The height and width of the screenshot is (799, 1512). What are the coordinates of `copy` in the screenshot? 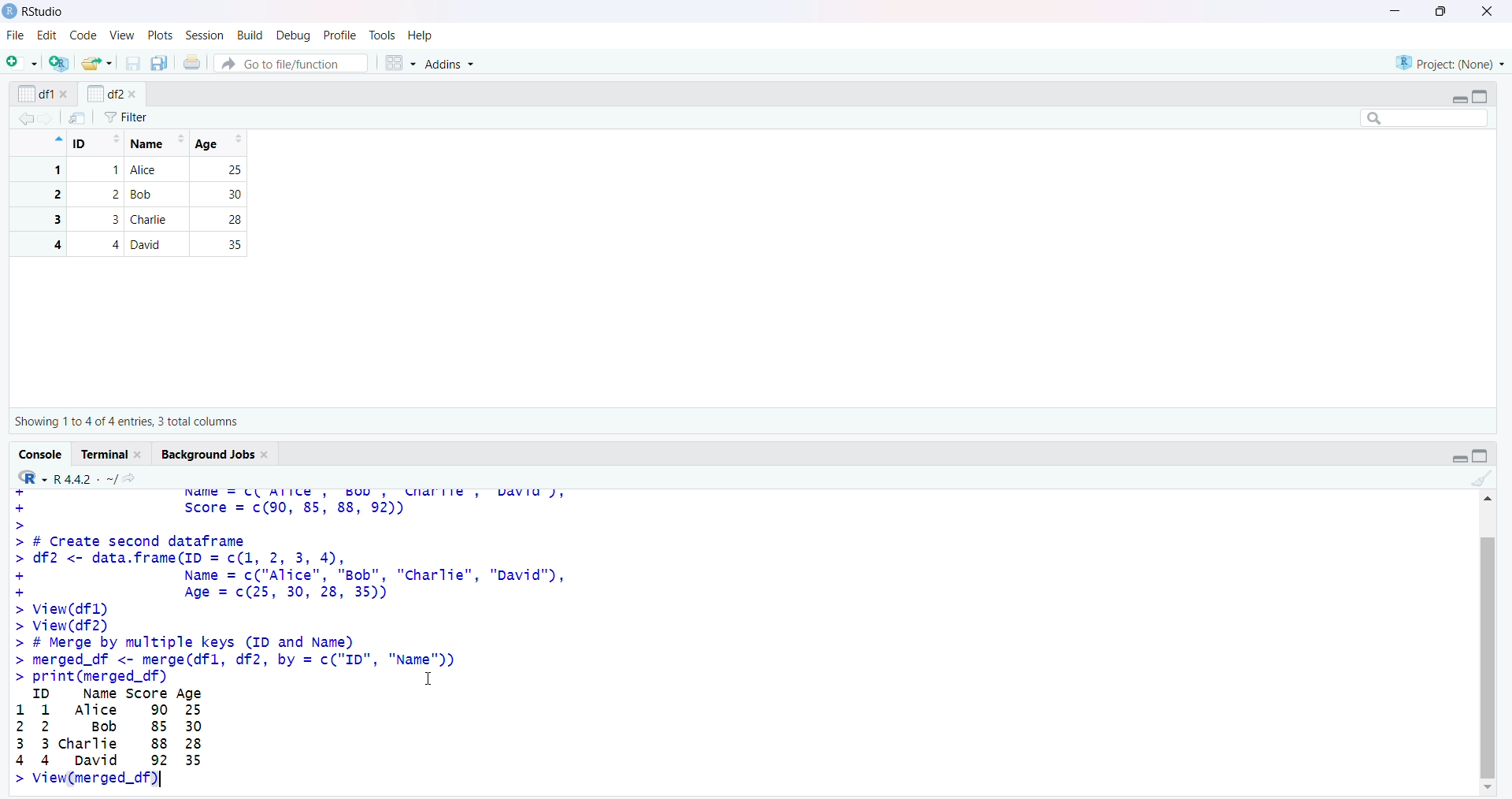 It's located at (159, 63).